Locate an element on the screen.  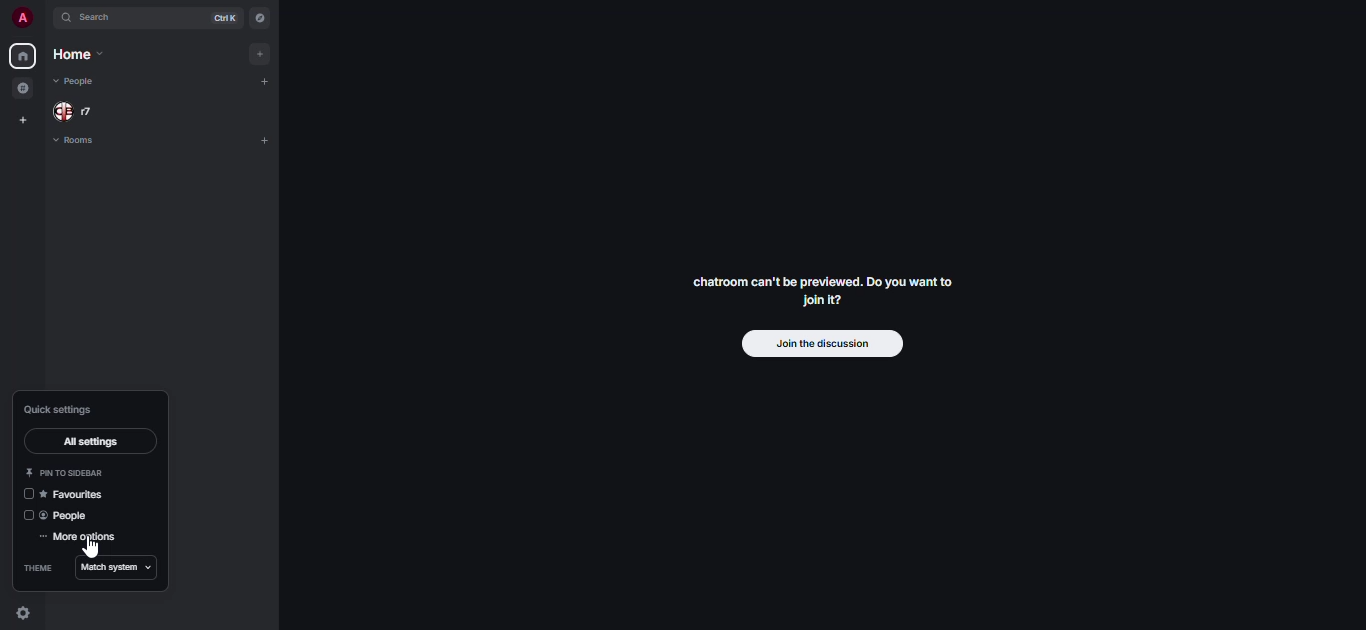
more options is located at coordinates (80, 538).